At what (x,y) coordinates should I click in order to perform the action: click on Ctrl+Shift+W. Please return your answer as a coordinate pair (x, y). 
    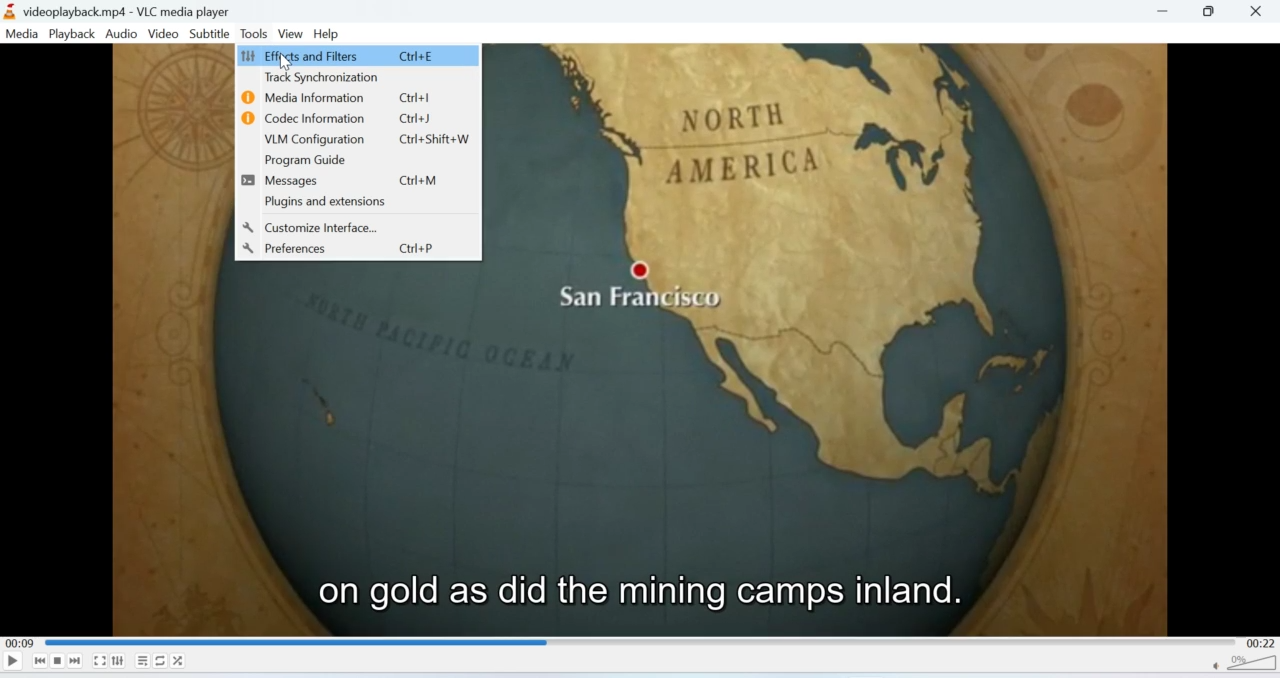
    Looking at the image, I should click on (434, 138).